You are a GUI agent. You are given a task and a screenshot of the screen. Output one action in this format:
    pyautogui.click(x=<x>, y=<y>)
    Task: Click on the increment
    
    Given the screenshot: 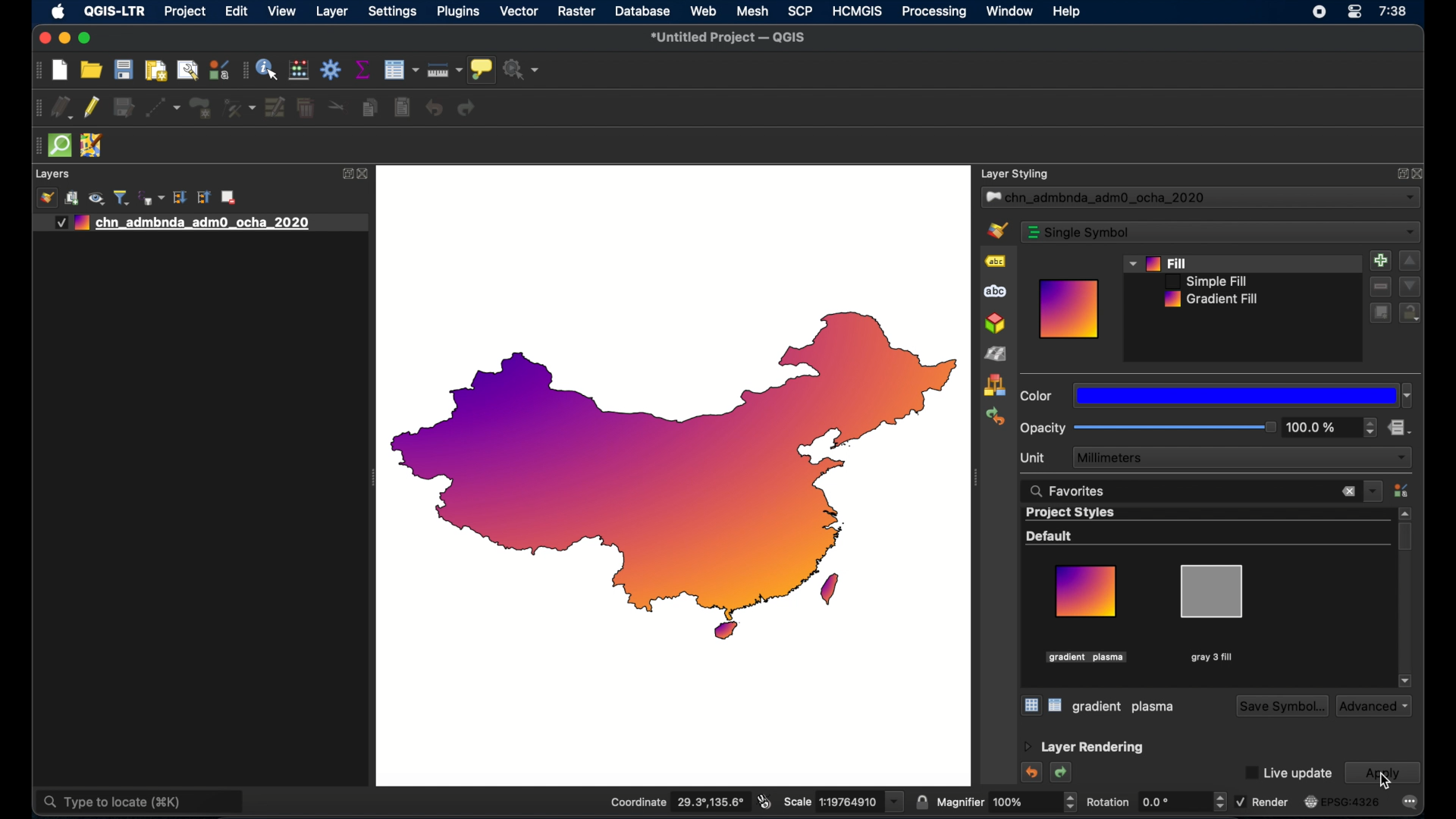 What is the action you would take?
    pyautogui.click(x=1410, y=261)
    